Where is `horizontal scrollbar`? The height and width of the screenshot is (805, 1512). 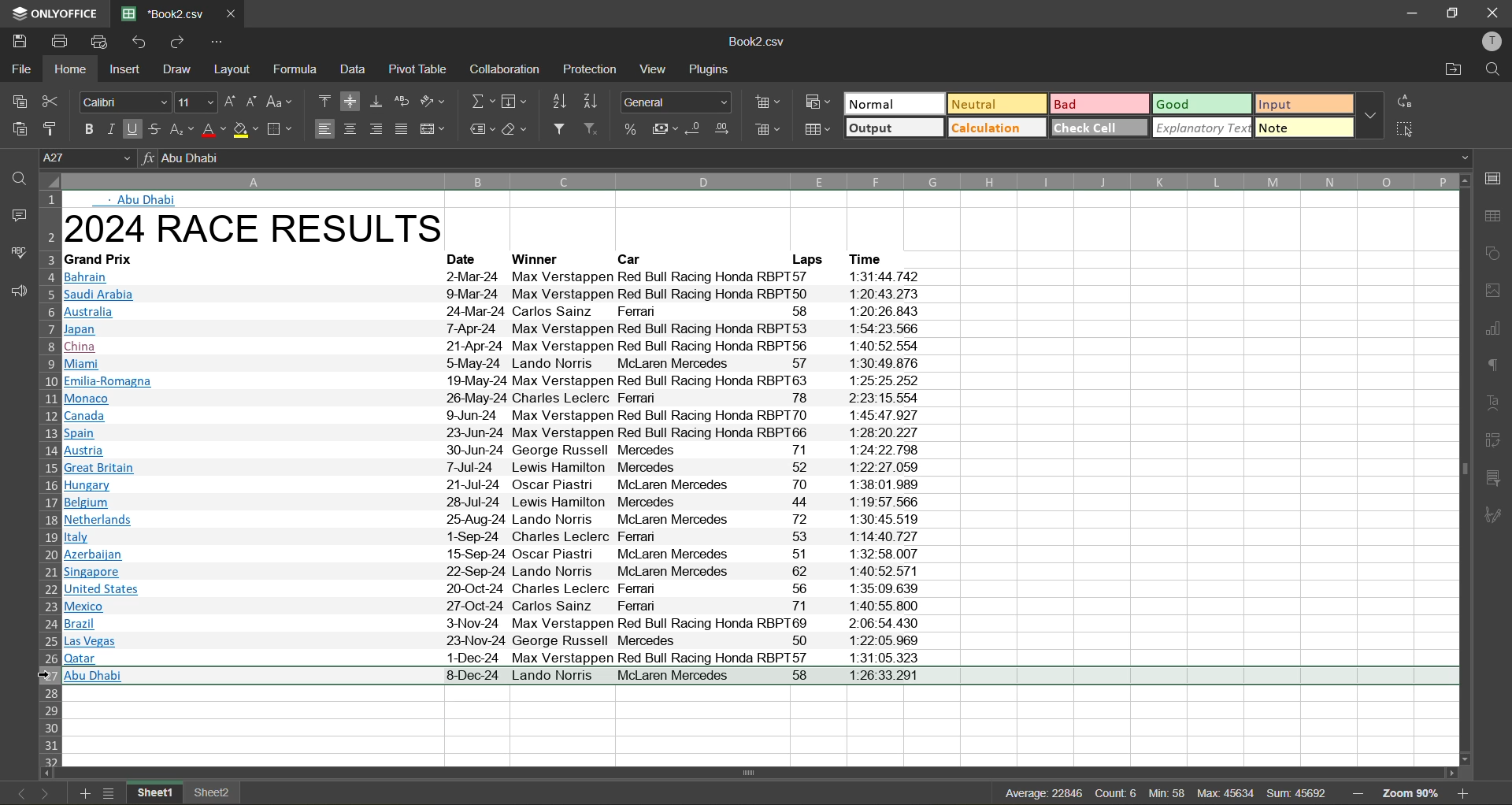
horizontal scrollbar is located at coordinates (754, 772).